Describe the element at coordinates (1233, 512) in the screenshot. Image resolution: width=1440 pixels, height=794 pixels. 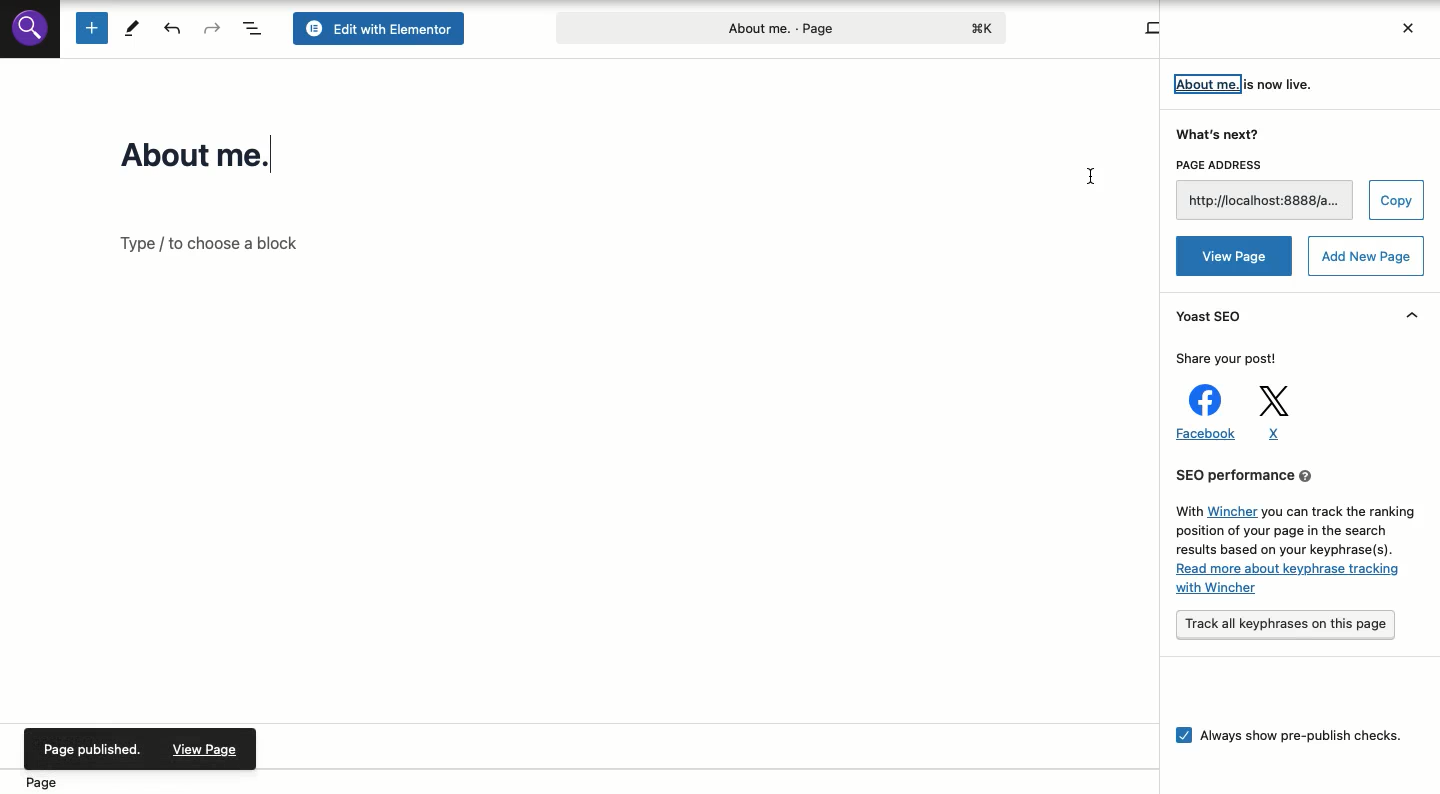
I see `Wincher` at that location.